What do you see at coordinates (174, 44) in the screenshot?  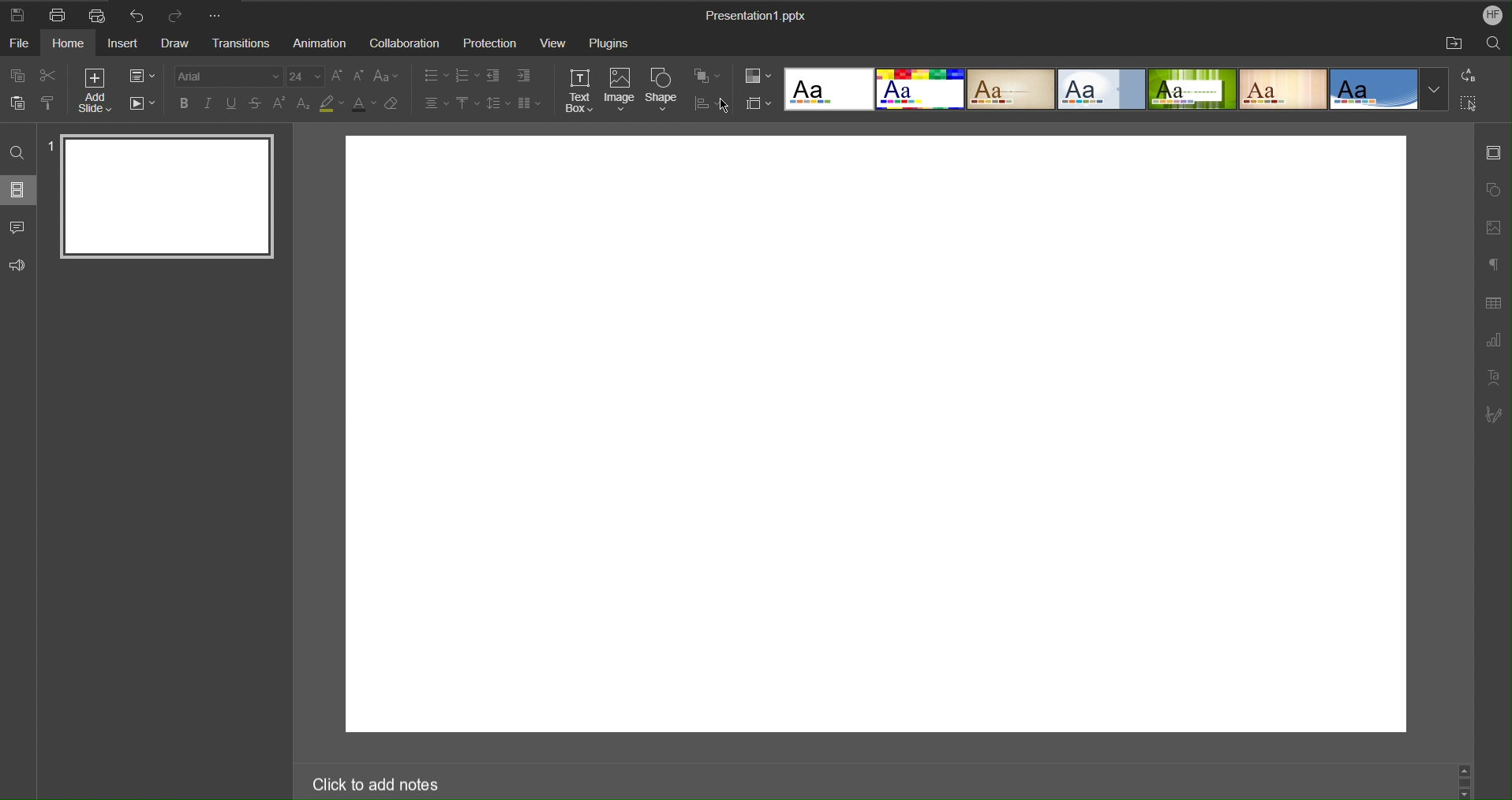 I see `Draw` at bounding box center [174, 44].